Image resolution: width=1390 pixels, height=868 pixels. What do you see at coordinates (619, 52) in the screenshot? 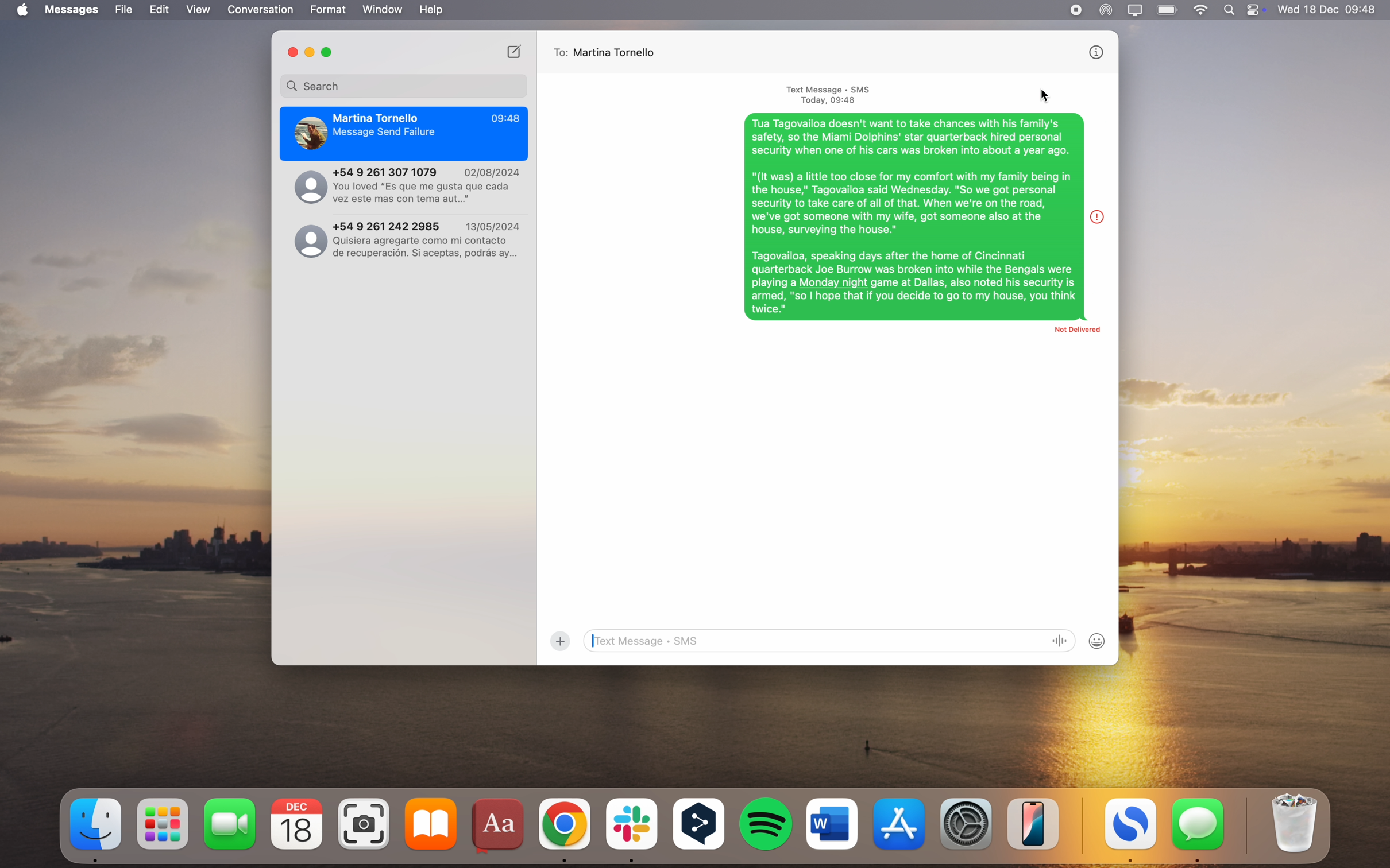
I see `martina tornello` at bounding box center [619, 52].